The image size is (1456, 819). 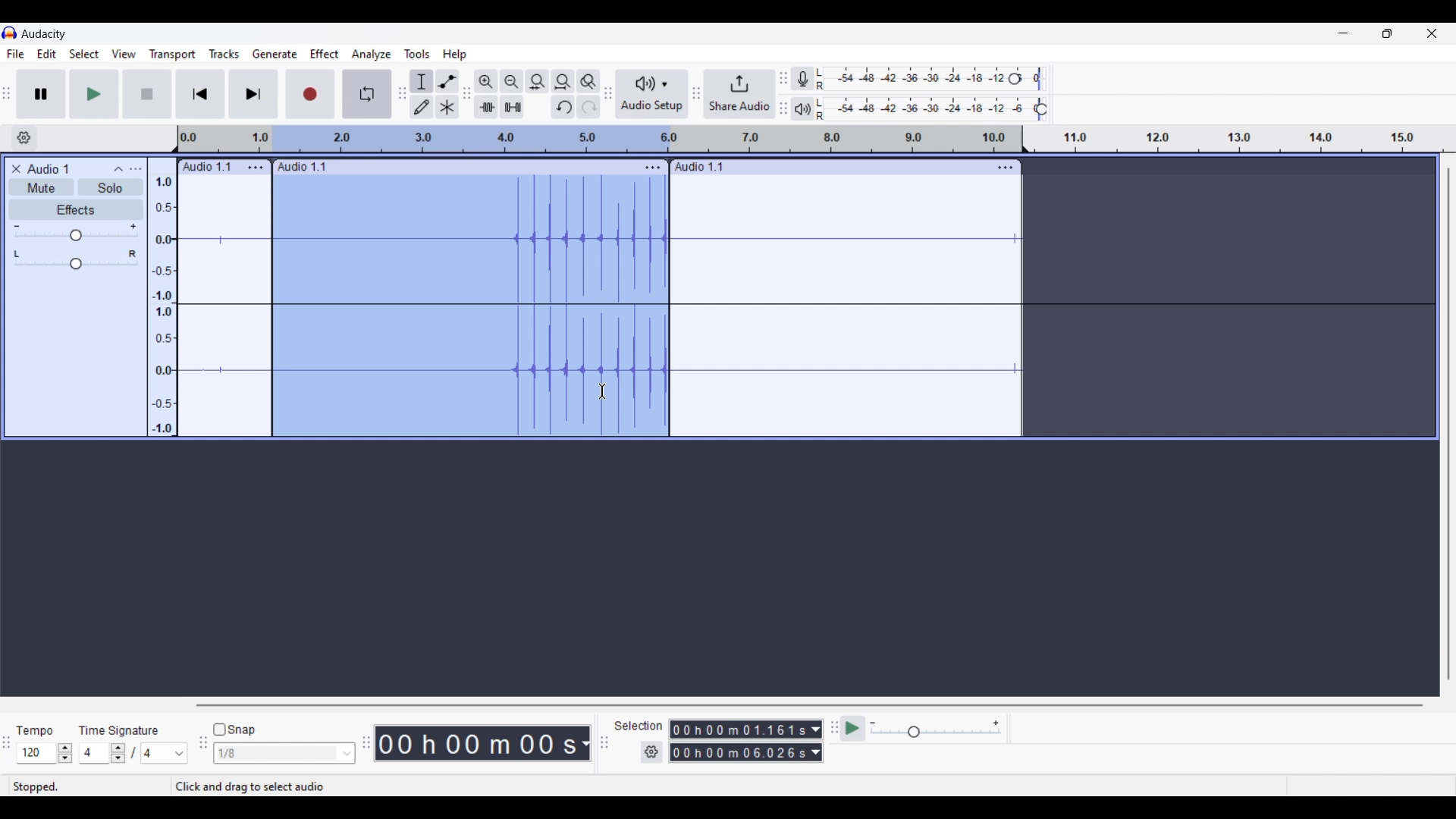 What do you see at coordinates (118, 753) in the screenshot?
I see `Increase/Decrease time signature` at bounding box center [118, 753].